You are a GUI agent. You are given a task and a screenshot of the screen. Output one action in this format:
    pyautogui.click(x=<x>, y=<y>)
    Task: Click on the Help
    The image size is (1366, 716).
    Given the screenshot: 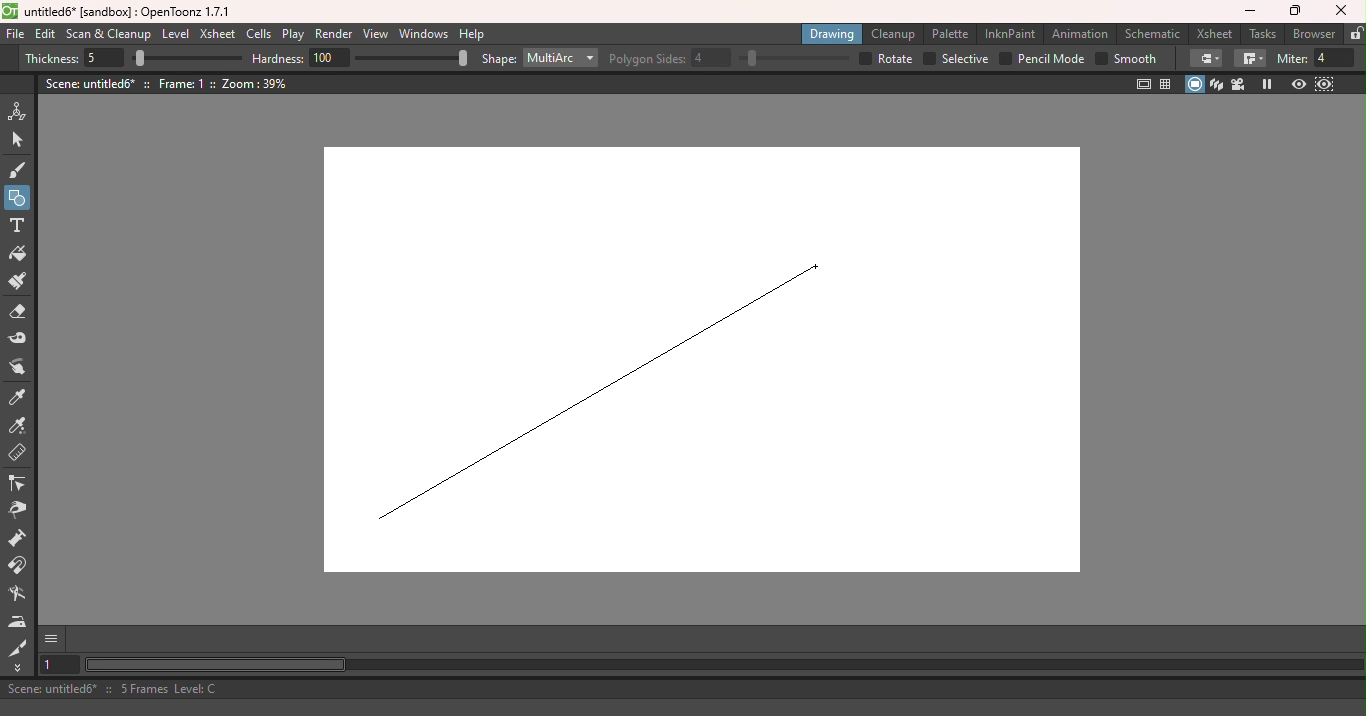 What is the action you would take?
    pyautogui.click(x=473, y=34)
    